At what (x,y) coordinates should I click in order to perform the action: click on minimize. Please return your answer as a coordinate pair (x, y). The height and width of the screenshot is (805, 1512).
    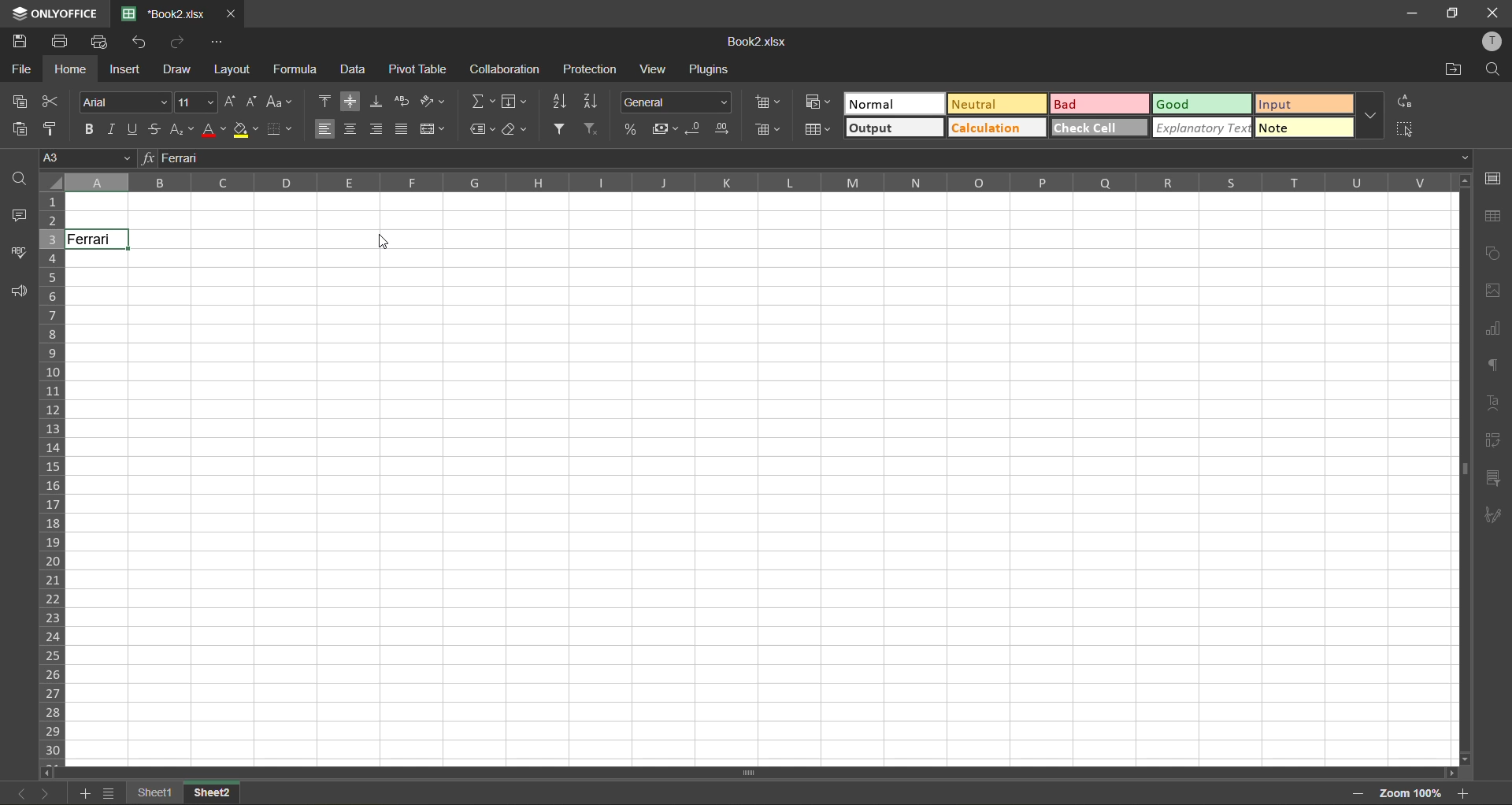
    Looking at the image, I should click on (1413, 13).